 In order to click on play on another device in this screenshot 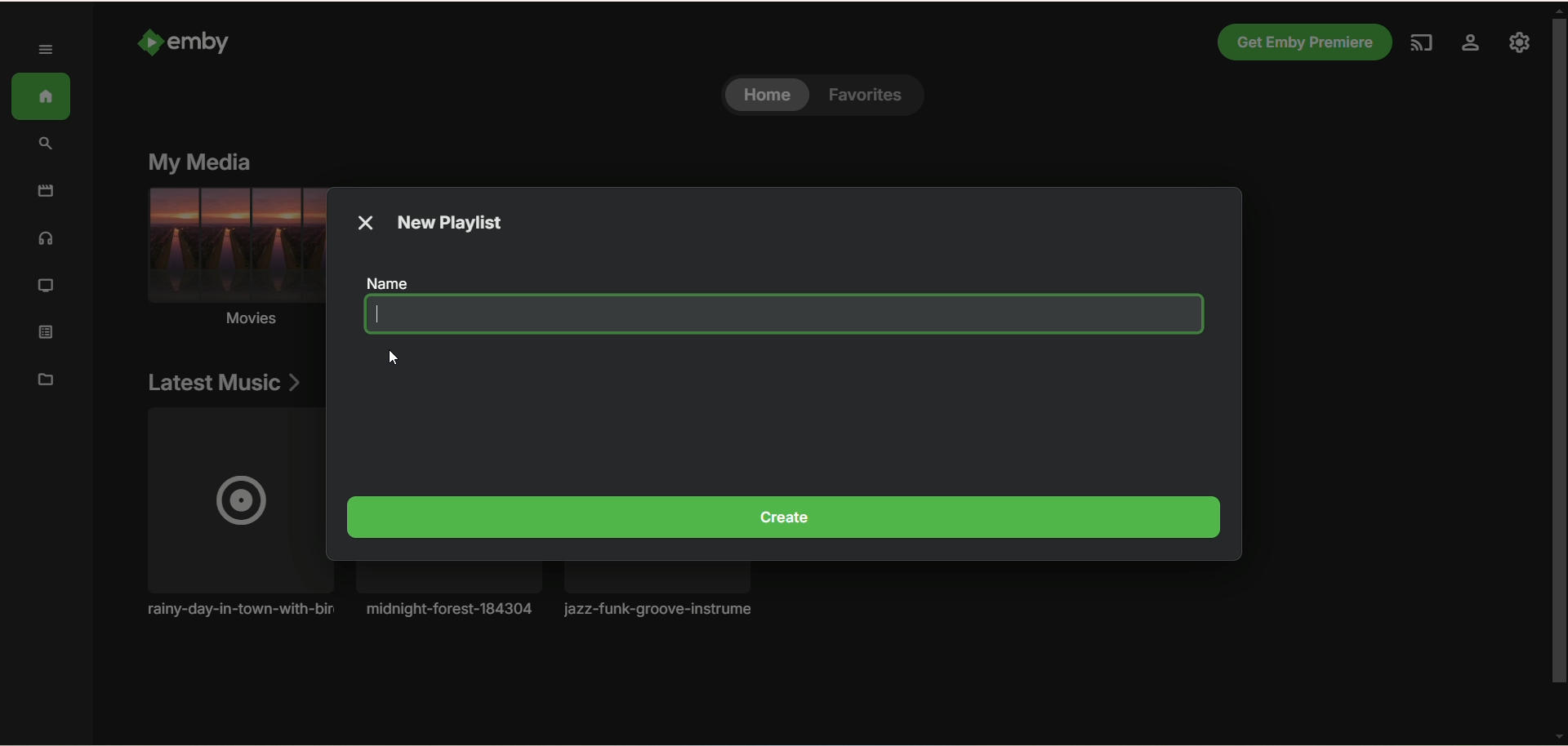, I will do `click(1419, 45)`.